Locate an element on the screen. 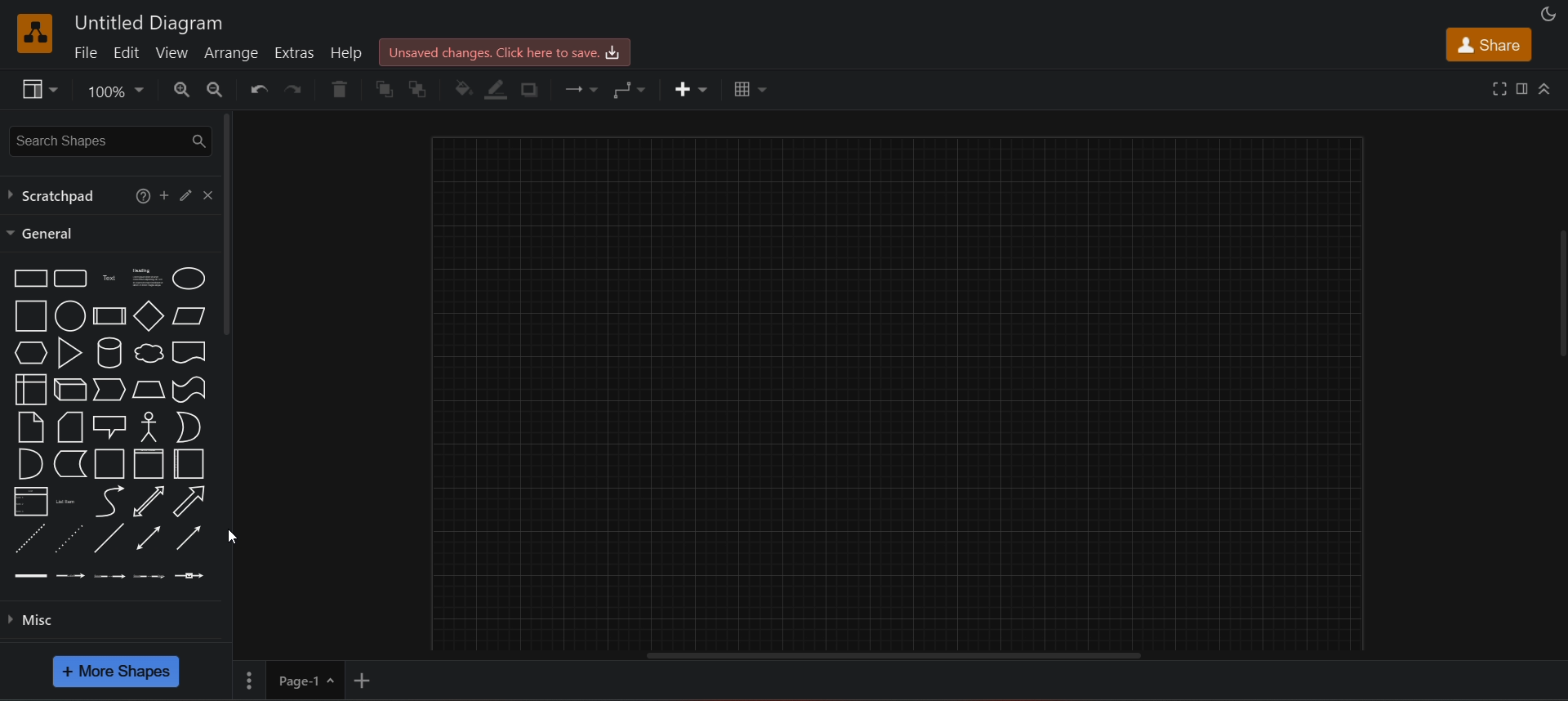  list is located at coordinates (30, 501).